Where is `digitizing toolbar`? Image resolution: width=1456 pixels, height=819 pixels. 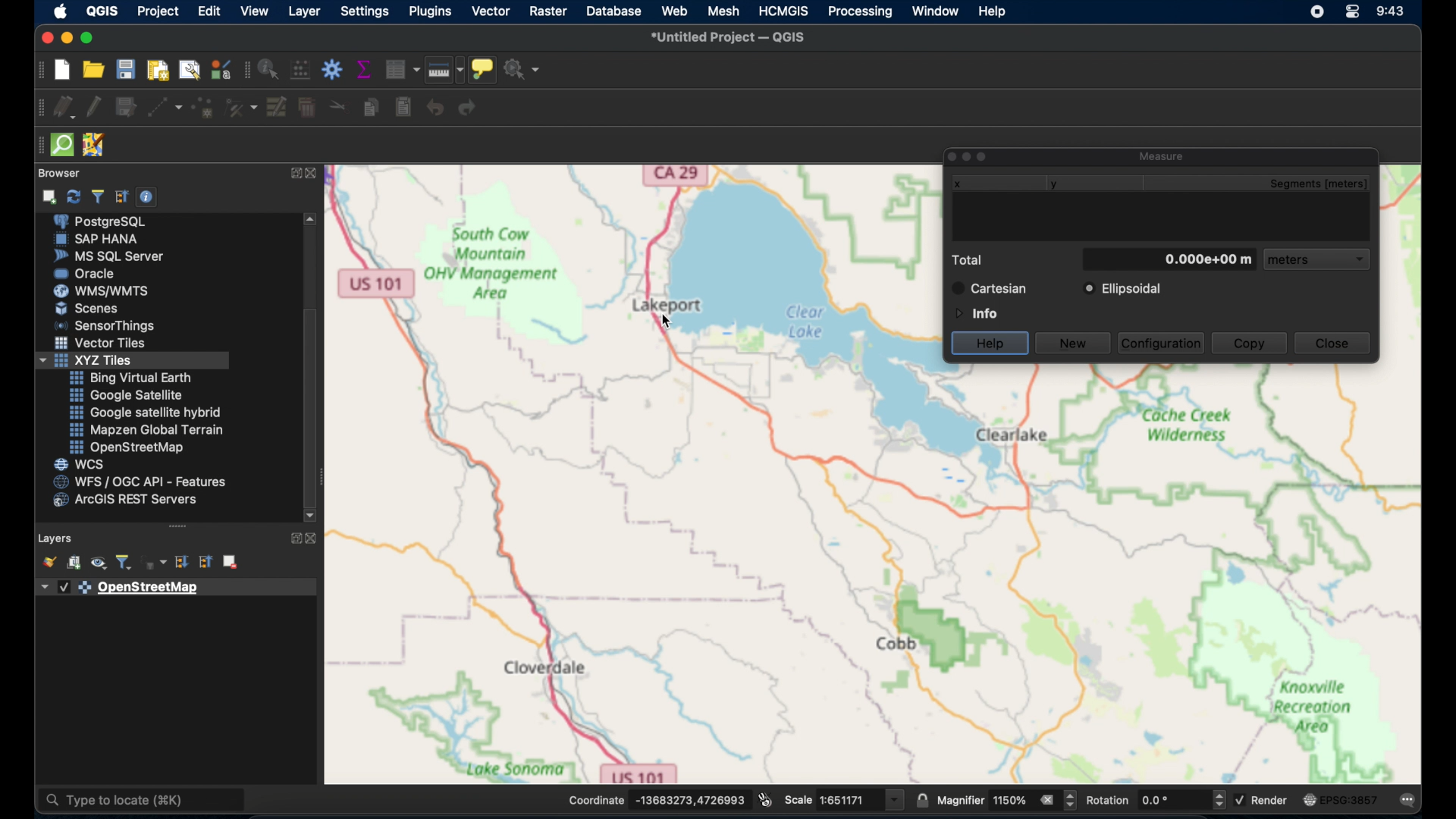
digitizing toolbar is located at coordinates (36, 111).